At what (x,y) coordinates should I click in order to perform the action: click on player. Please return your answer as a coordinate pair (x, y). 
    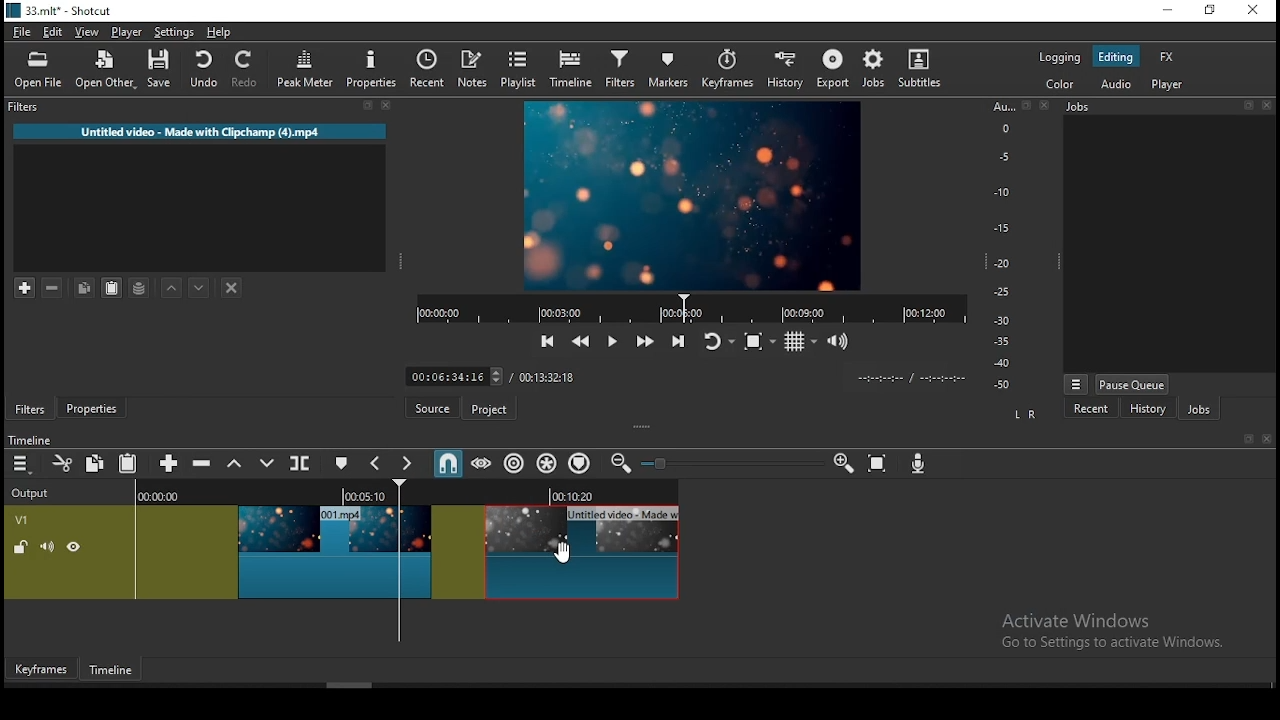
    Looking at the image, I should click on (127, 33).